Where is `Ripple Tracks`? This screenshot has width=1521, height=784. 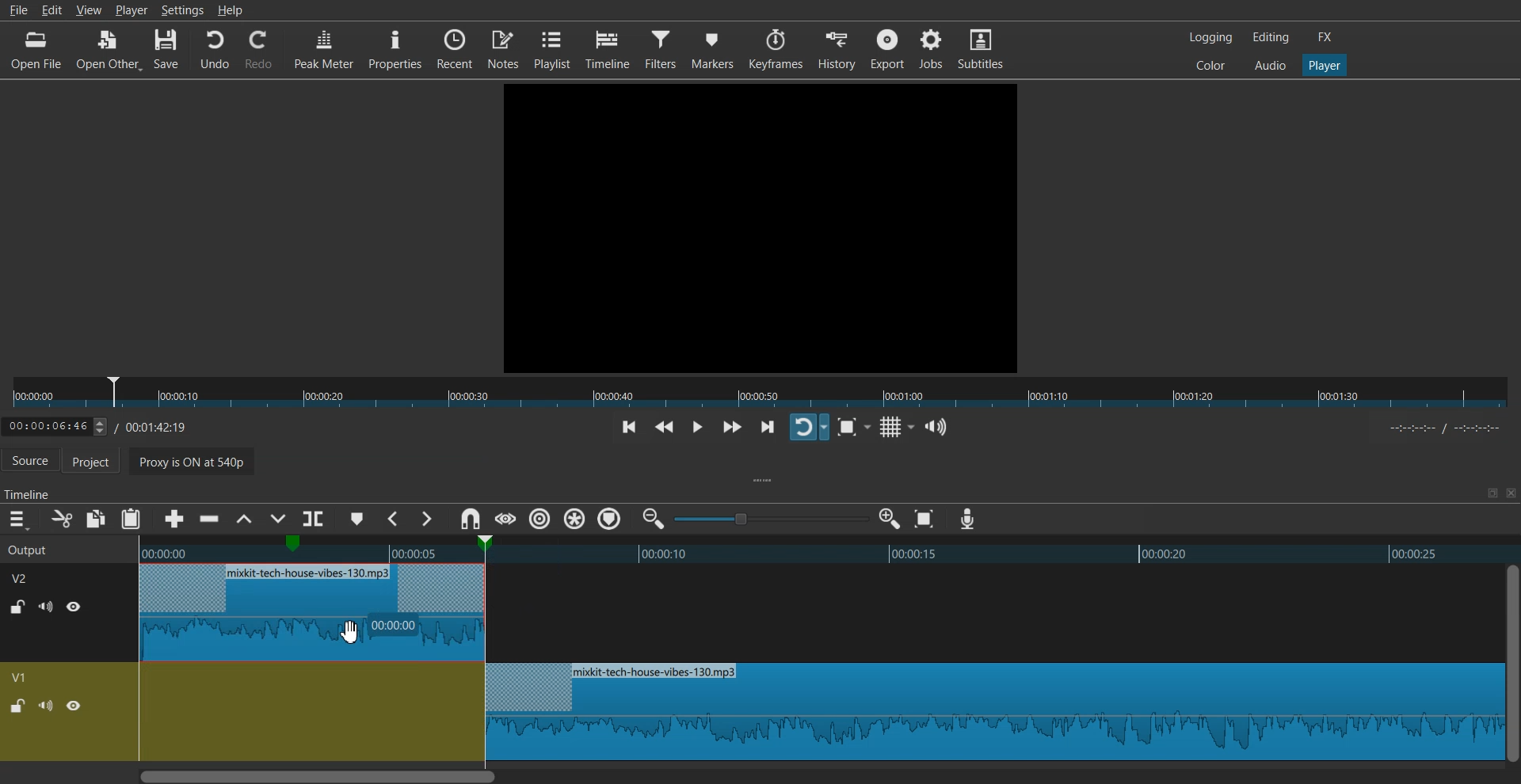
Ripple Tracks is located at coordinates (611, 519).